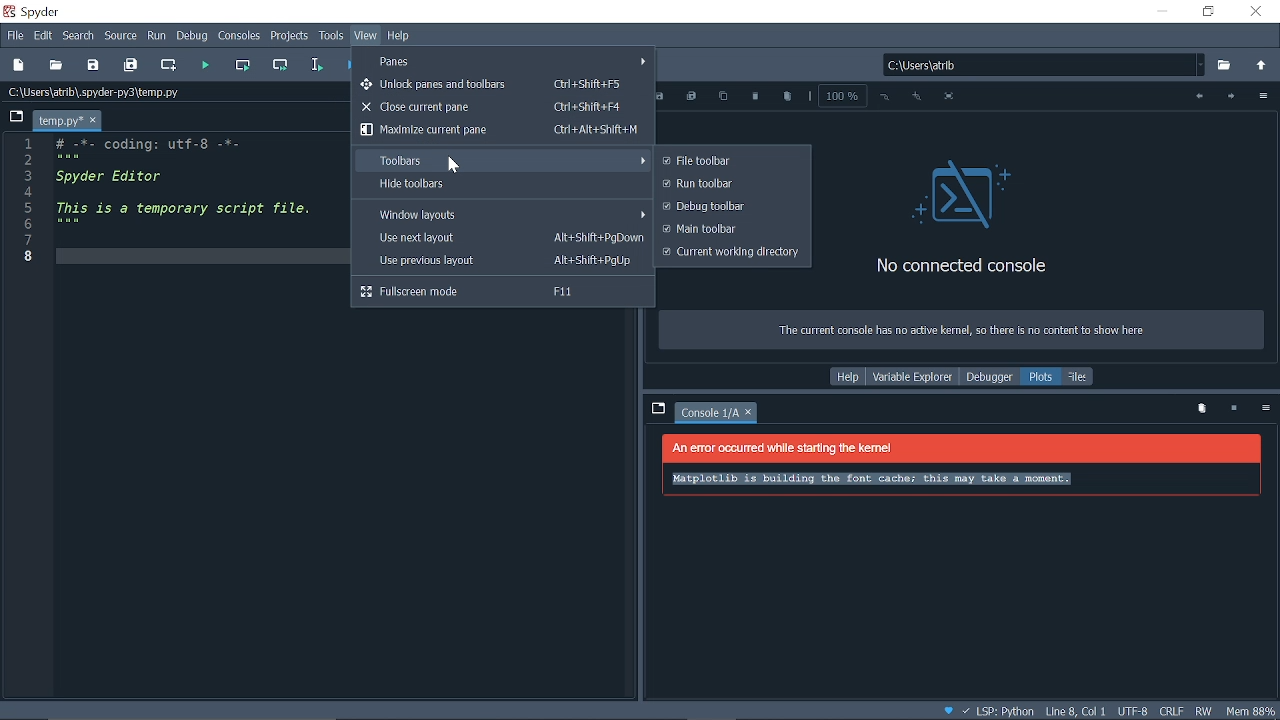 This screenshot has width=1280, height=720. What do you see at coordinates (952, 99) in the screenshot?
I see `Fit to width` at bounding box center [952, 99].